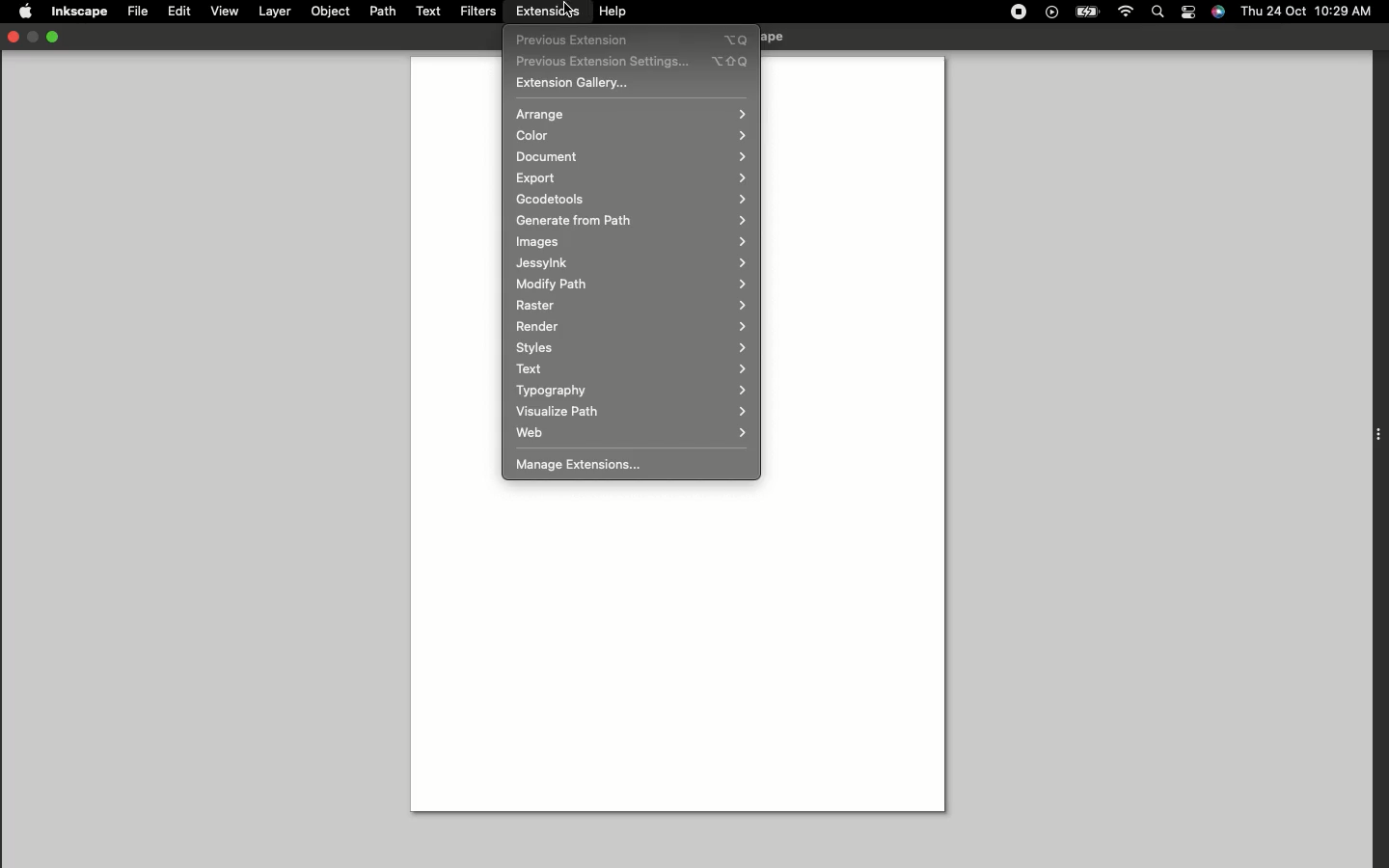  Describe the element at coordinates (630, 244) in the screenshot. I see `Images` at that location.